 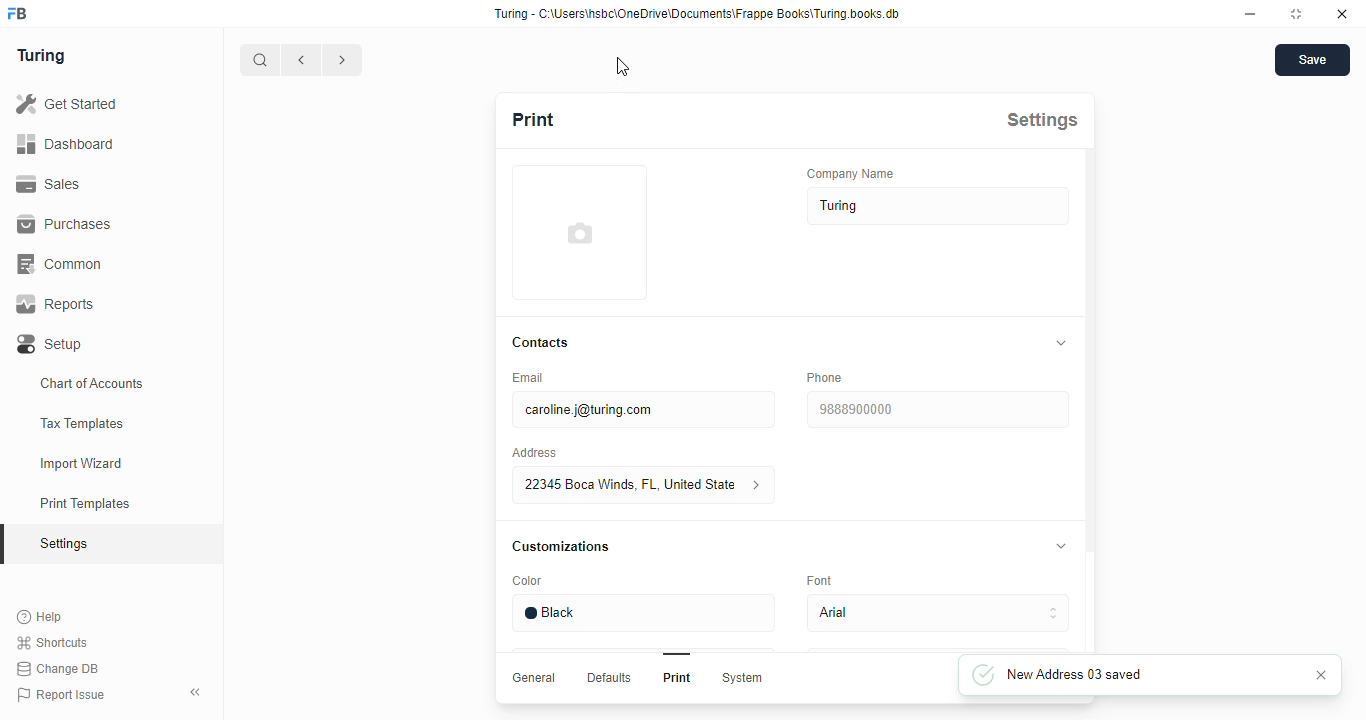 I want to click on tax templates, so click(x=81, y=423).